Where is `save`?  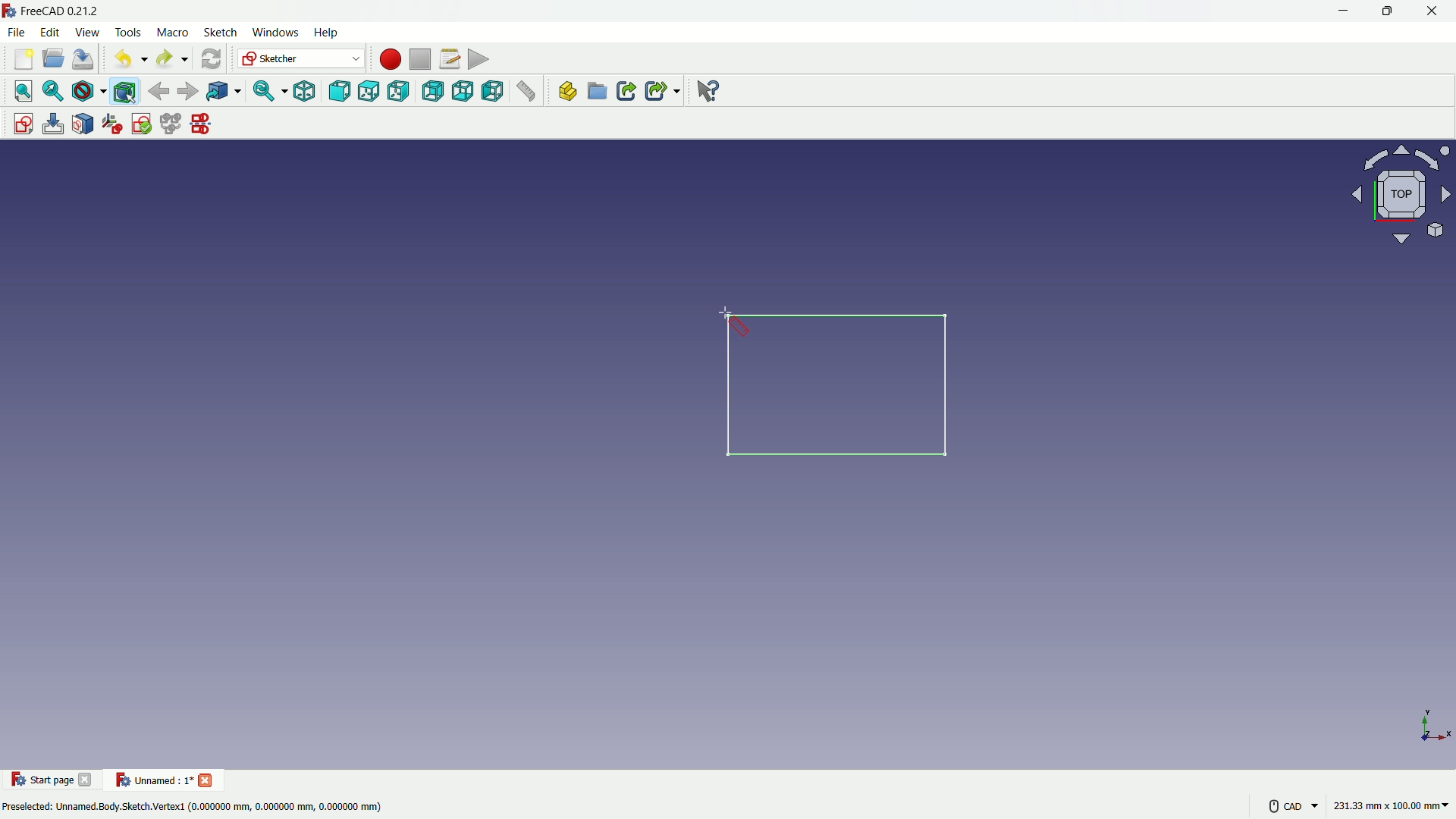 save is located at coordinates (84, 59).